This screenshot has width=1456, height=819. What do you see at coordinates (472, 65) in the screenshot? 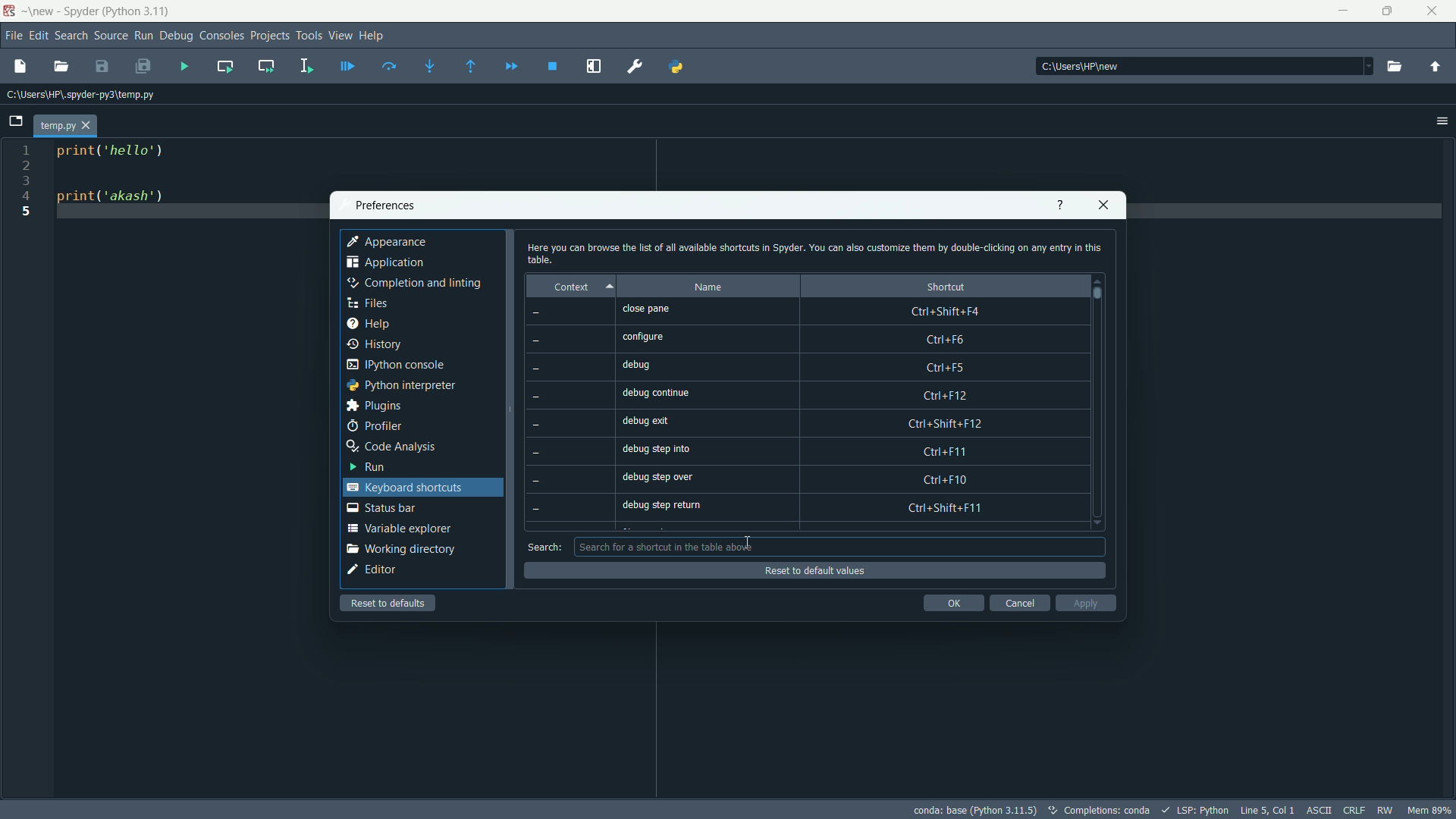
I see `continue execution untill next function` at bounding box center [472, 65].